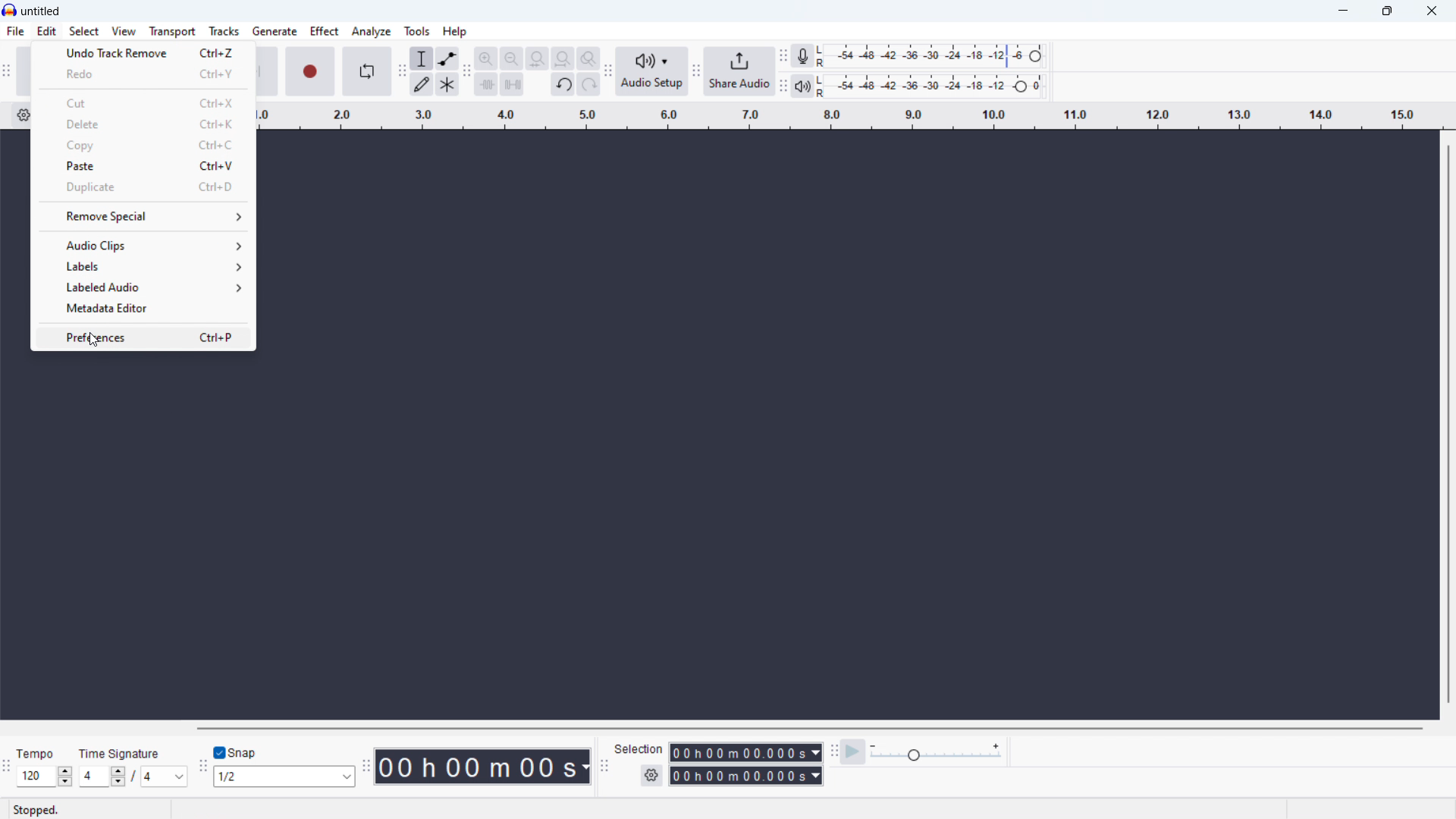  Describe the element at coordinates (41, 11) in the screenshot. I see `title` at that location.